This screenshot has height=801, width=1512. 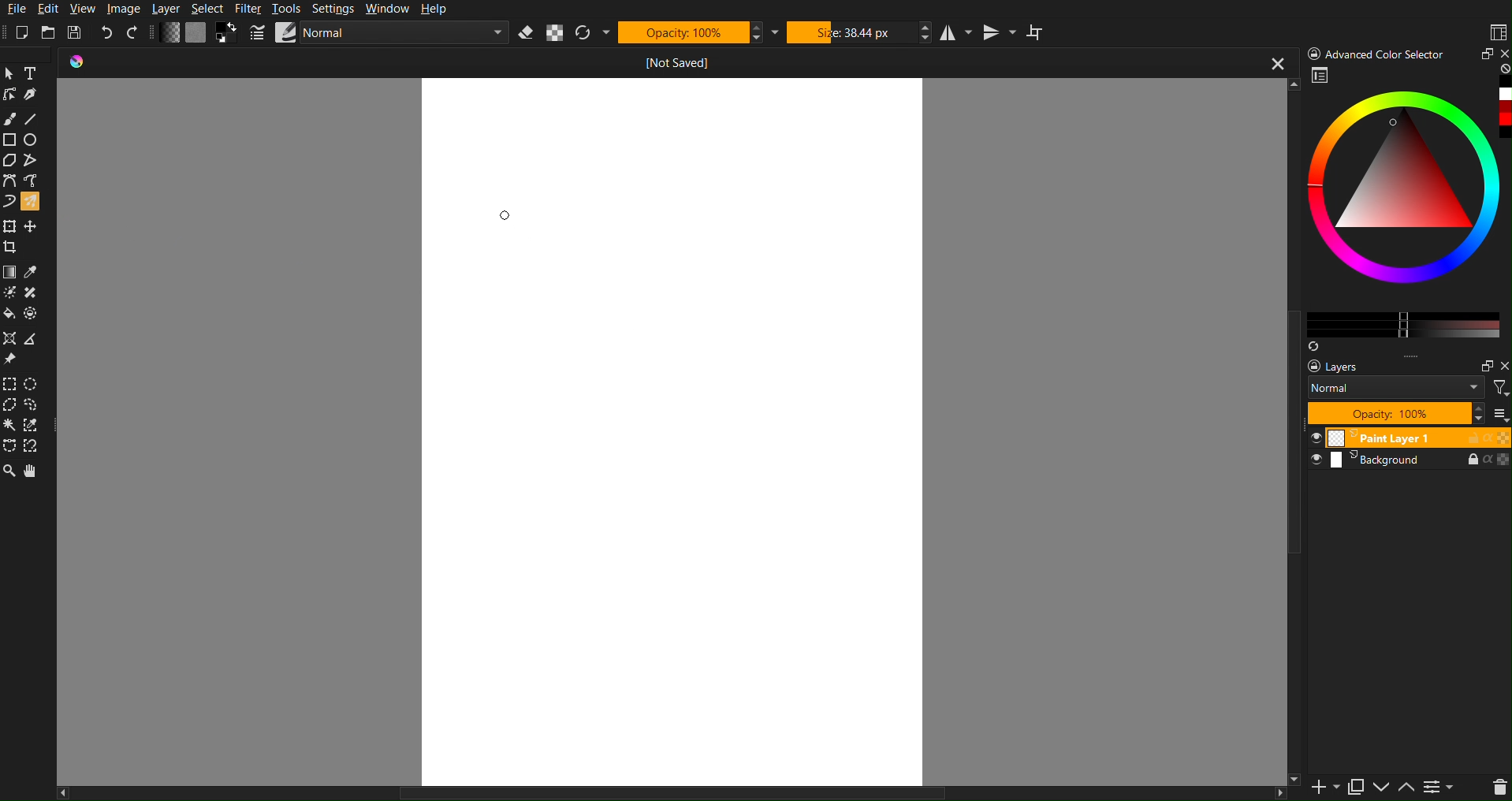 What do you see at coordinates (9, 472) in the screenshot?
I see `Zoom` at bounding box center [9, 472].